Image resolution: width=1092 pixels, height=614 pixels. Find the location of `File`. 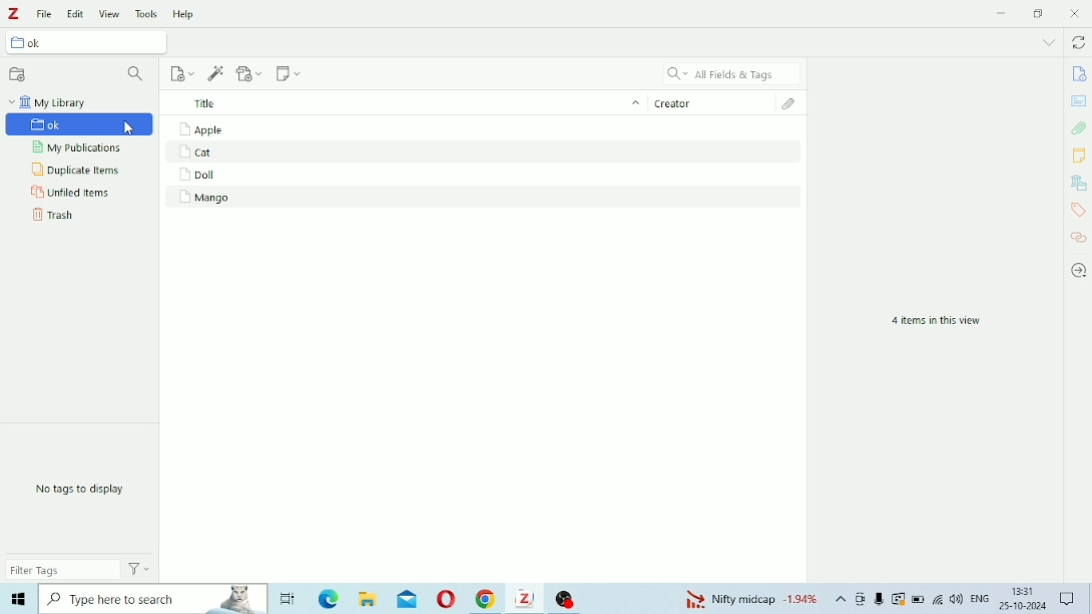

File is located at coordinates (45, 14).